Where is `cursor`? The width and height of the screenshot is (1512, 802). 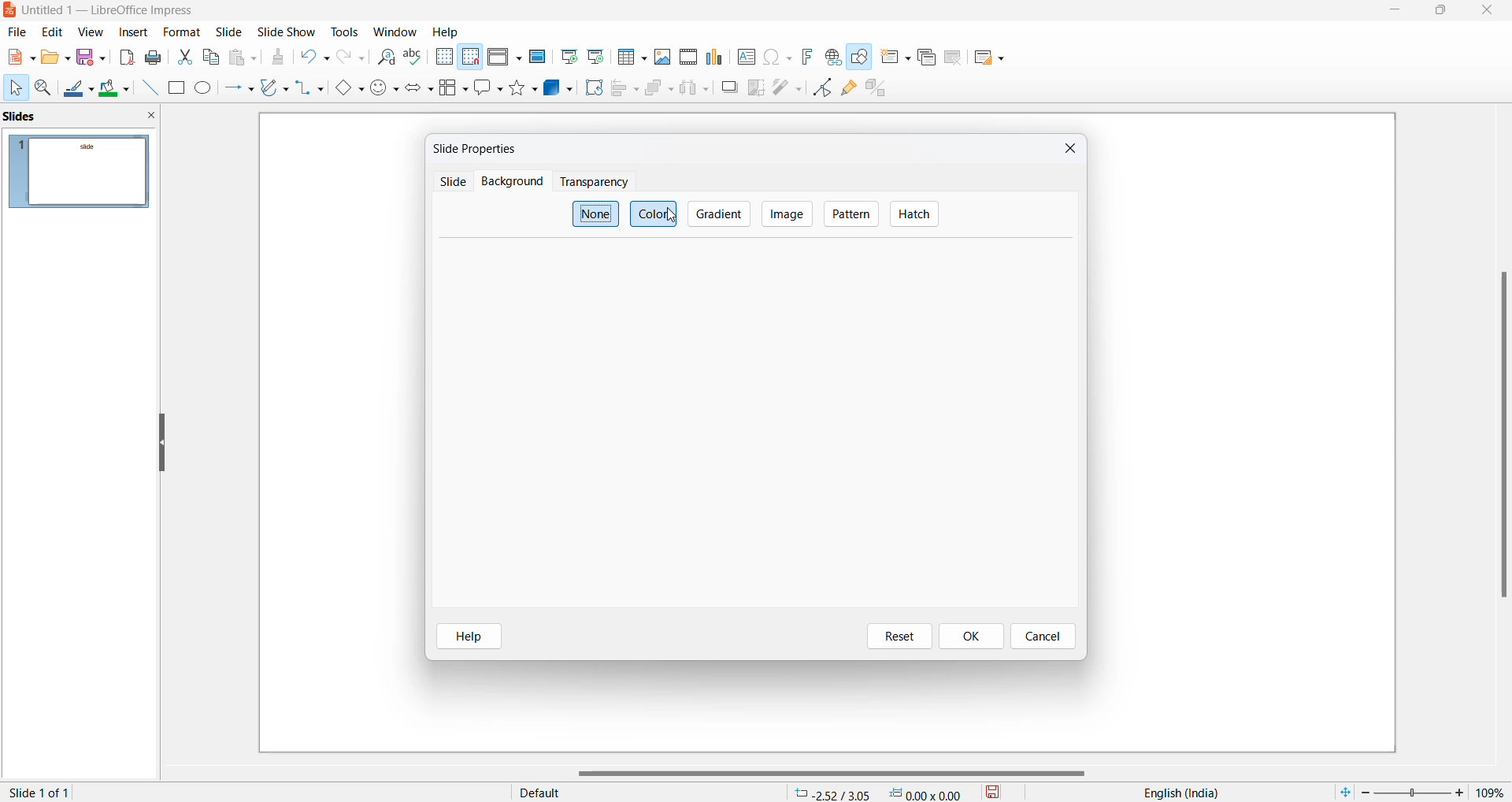 cursor is located at coordinates (15, 88).